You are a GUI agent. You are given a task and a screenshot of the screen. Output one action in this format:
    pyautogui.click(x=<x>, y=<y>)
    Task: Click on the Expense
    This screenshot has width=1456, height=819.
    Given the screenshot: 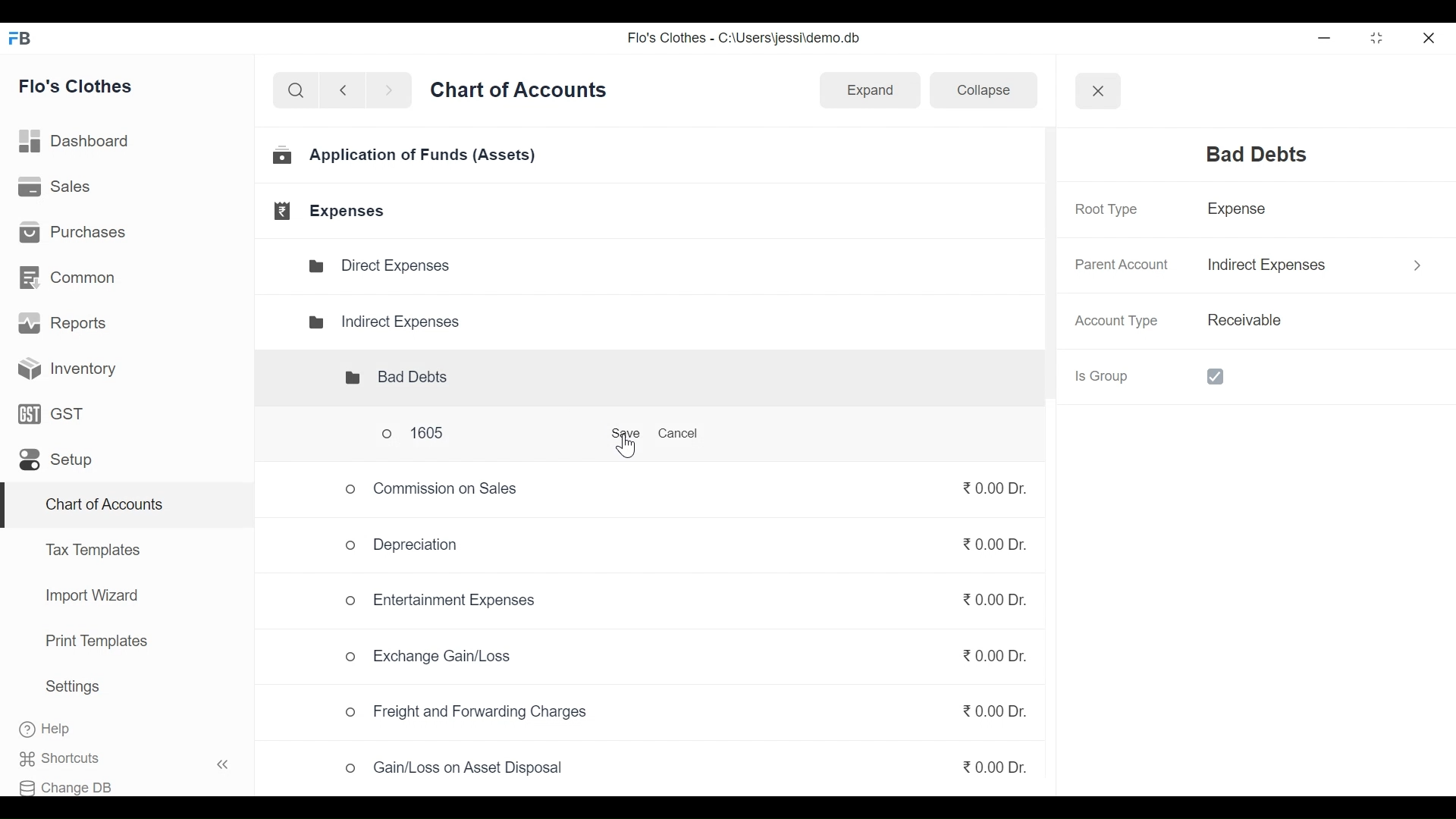 What is the action you would take?
    pyautogui.click(x=1242, y=212)
    